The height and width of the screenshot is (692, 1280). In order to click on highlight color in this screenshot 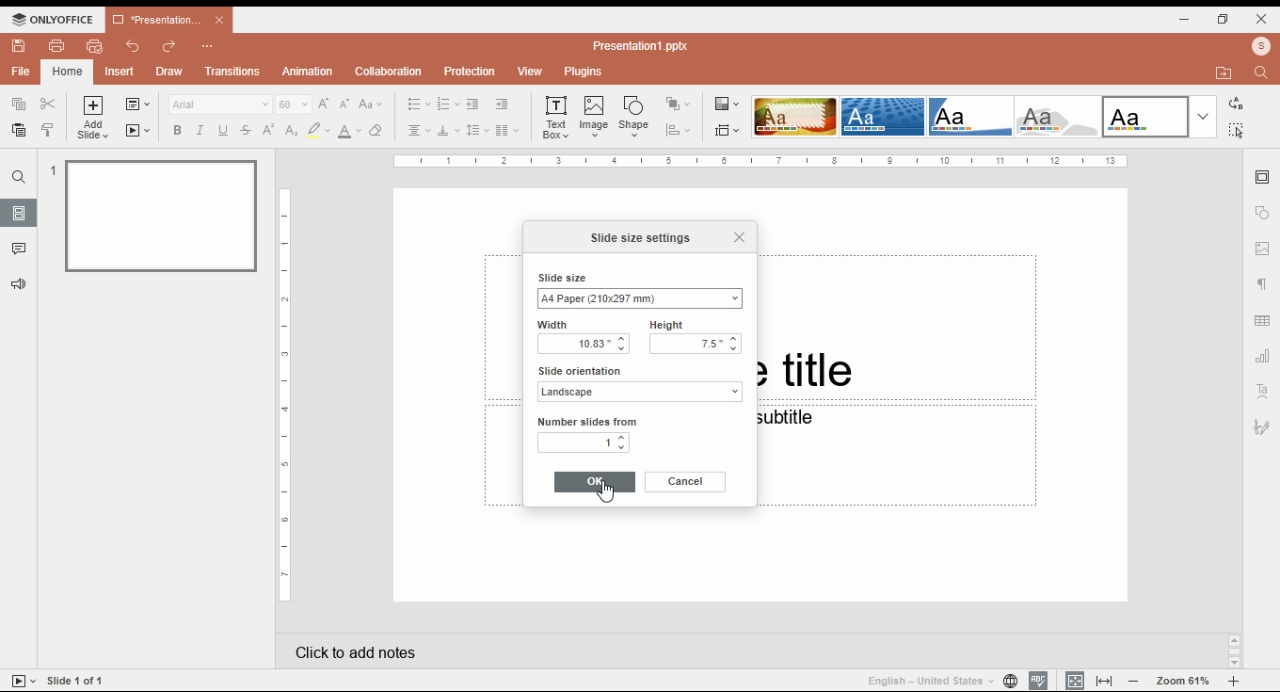, I will do `click(318, 130)`.